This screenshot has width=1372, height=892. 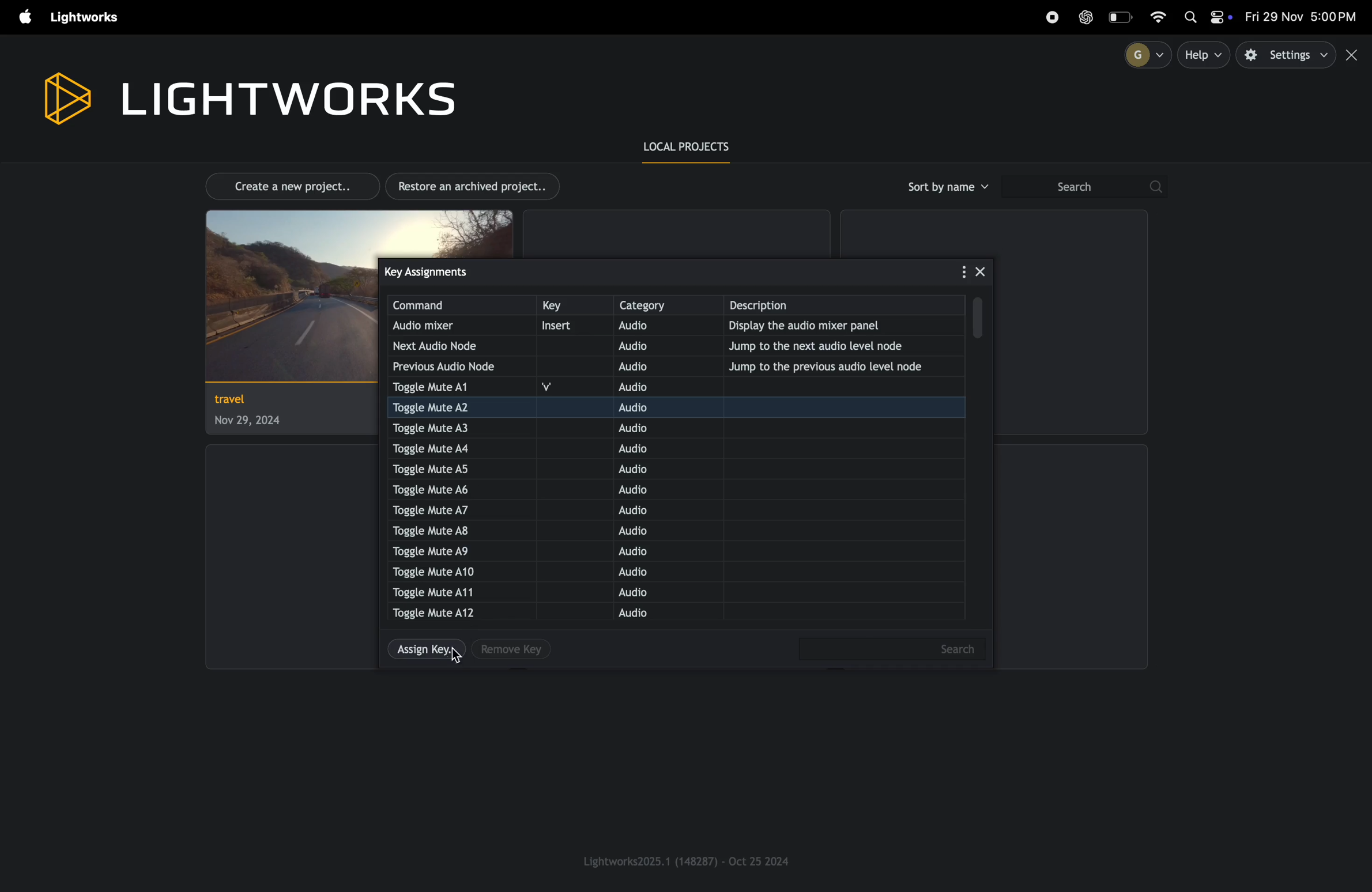 I want to click on profile, so click(x=1143, y=54).